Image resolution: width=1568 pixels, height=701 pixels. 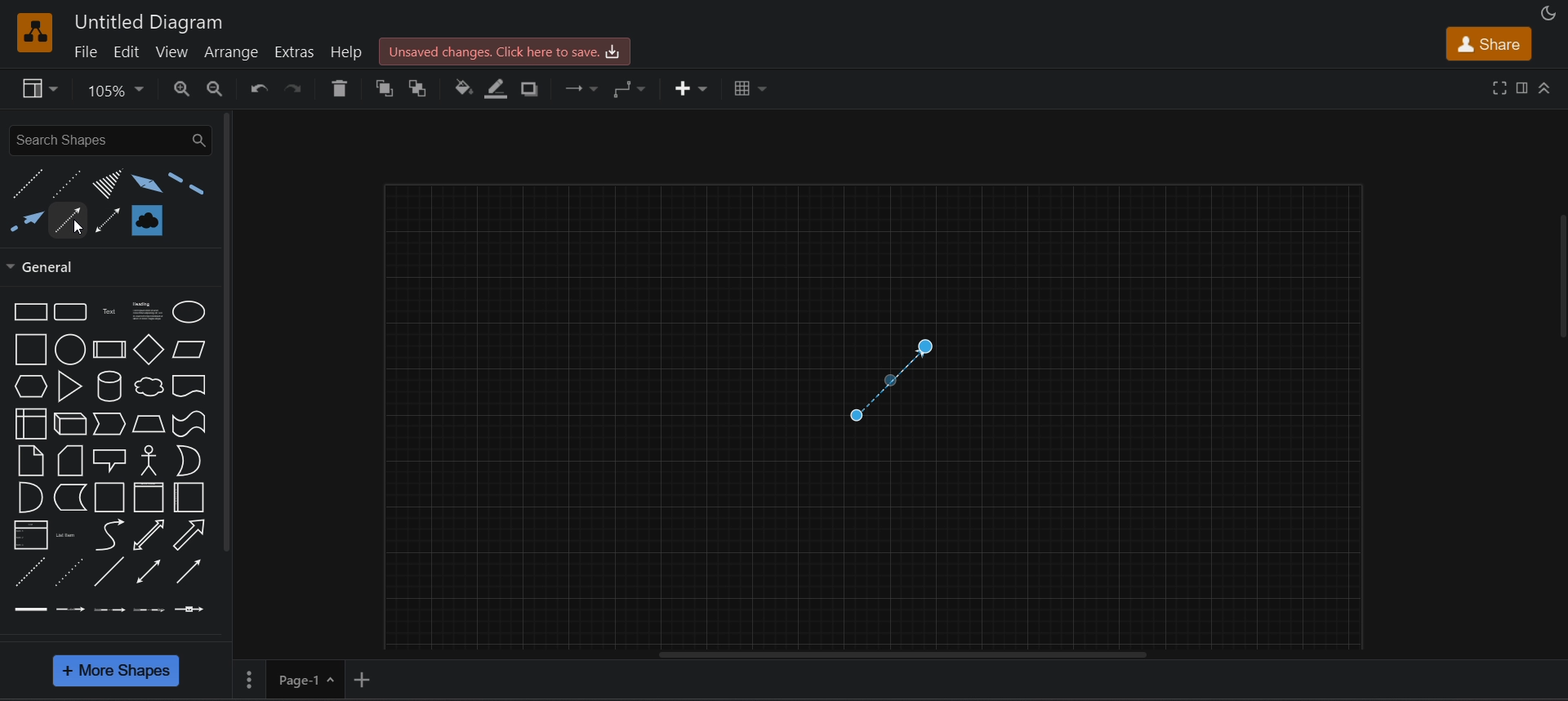 I want to click on internal storage , so click(x=33, y=423).